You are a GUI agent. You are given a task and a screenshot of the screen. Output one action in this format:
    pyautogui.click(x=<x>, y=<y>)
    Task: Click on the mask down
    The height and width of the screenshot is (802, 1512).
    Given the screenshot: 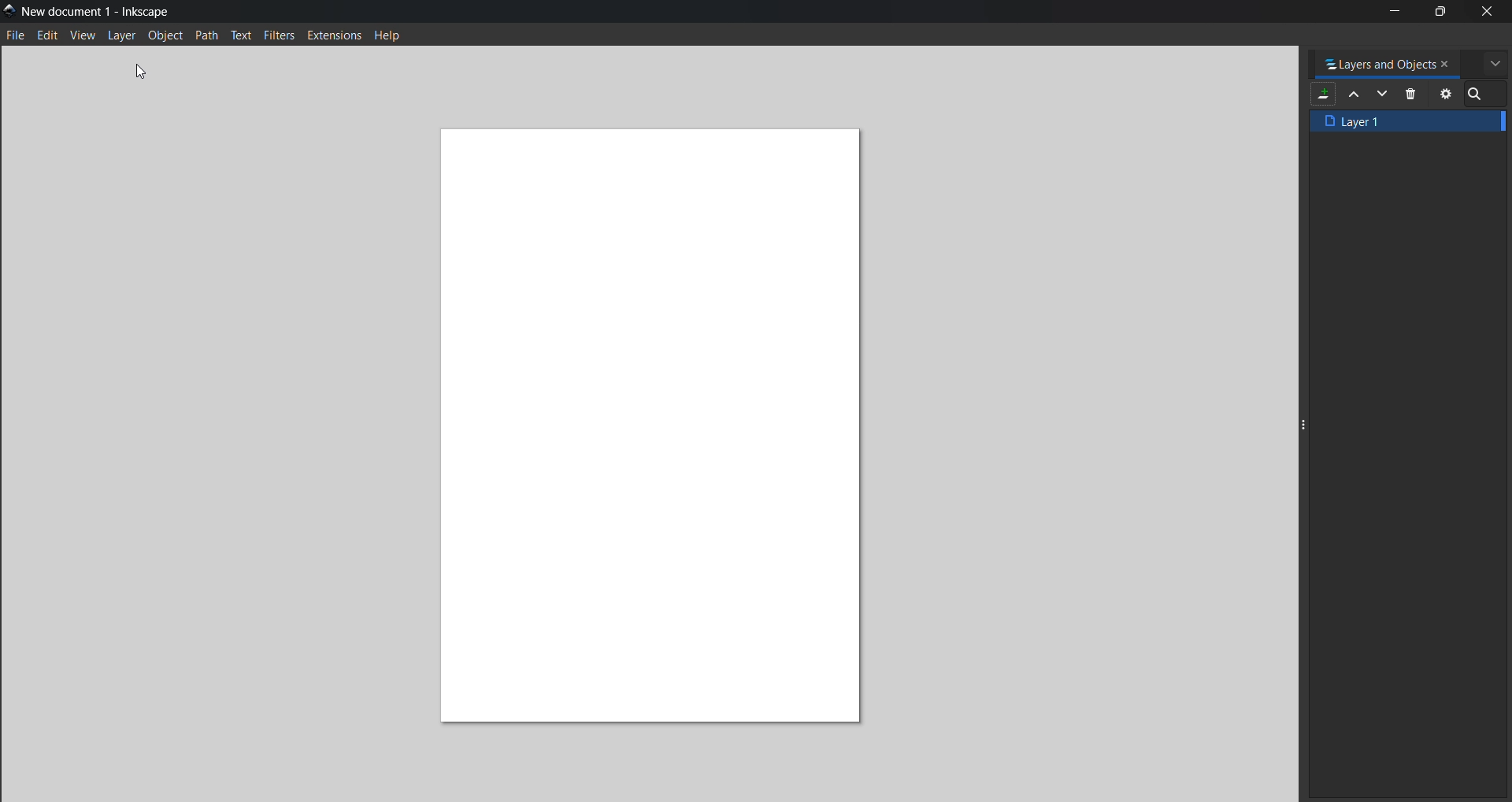 What is the action you would take?
    pyautogui.click(x=1384, y=95)
    